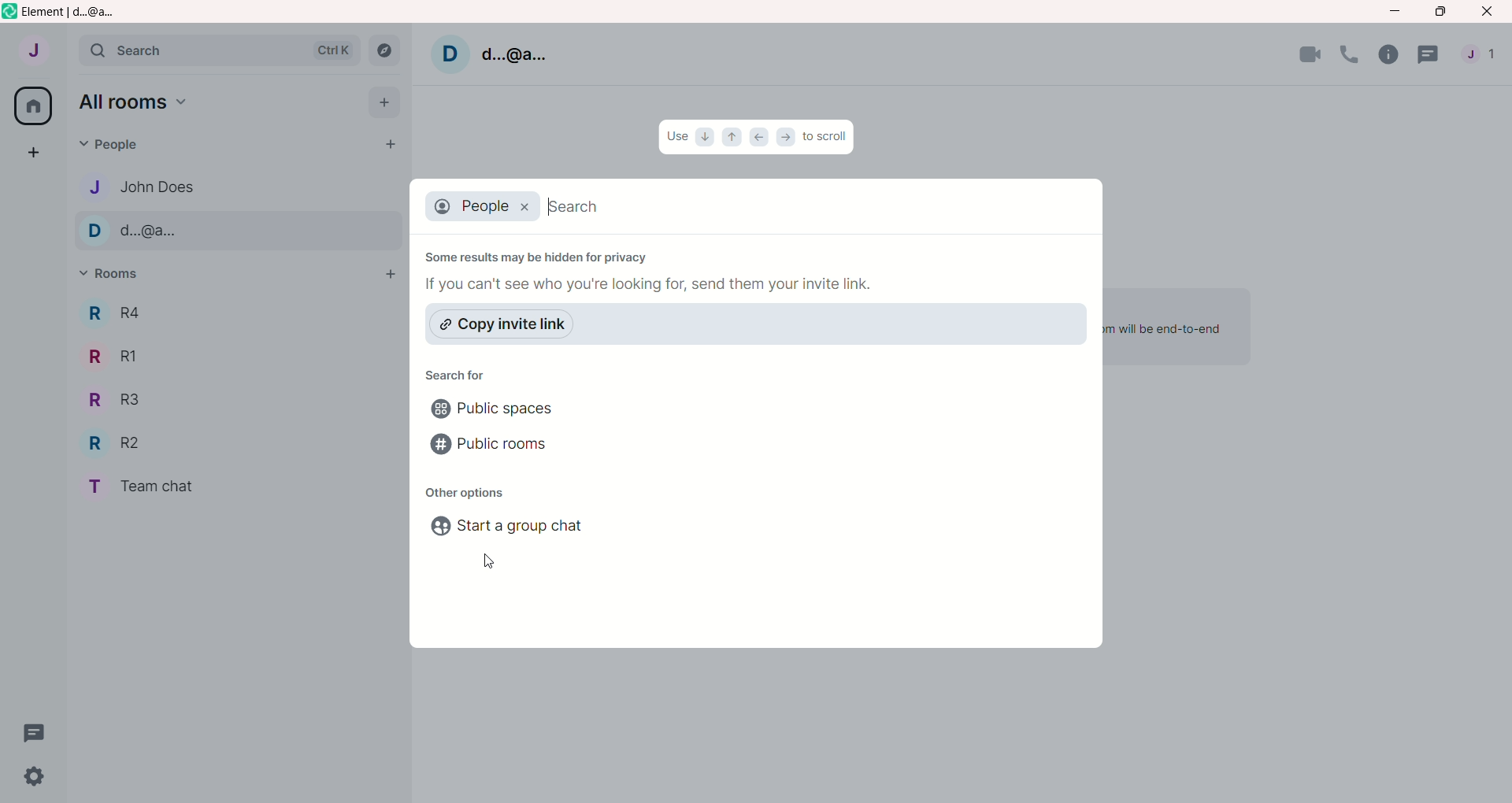 Image resolution: width=1512 pixels, height=803 pixels. I want to click on minimize, so click(1395, 9).